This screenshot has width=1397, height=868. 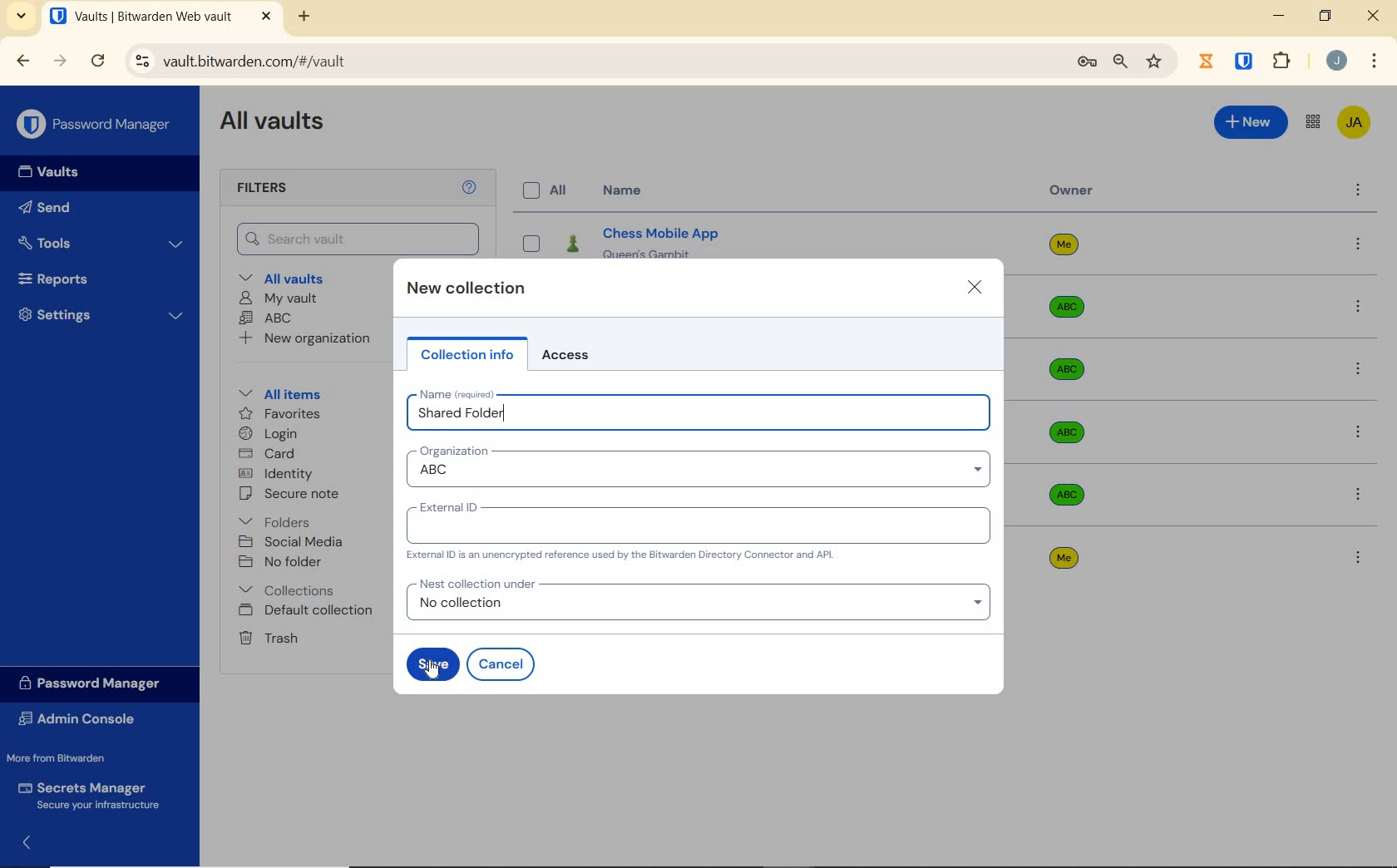 I want to click on My Vault, so click(x=283, y=298).